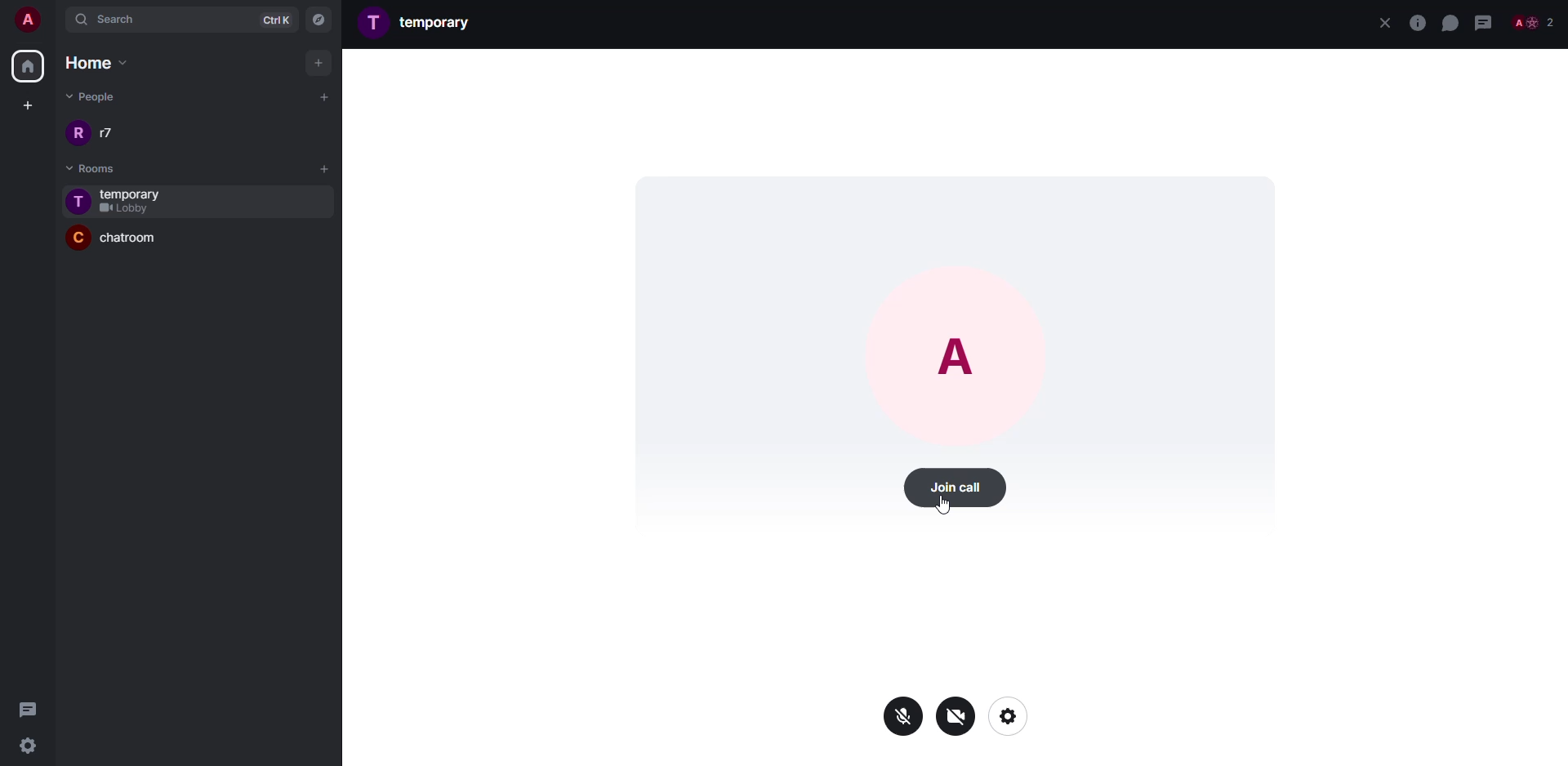 This screenshot has height=766, width=1568. I want to click on home, so click(27, 67).